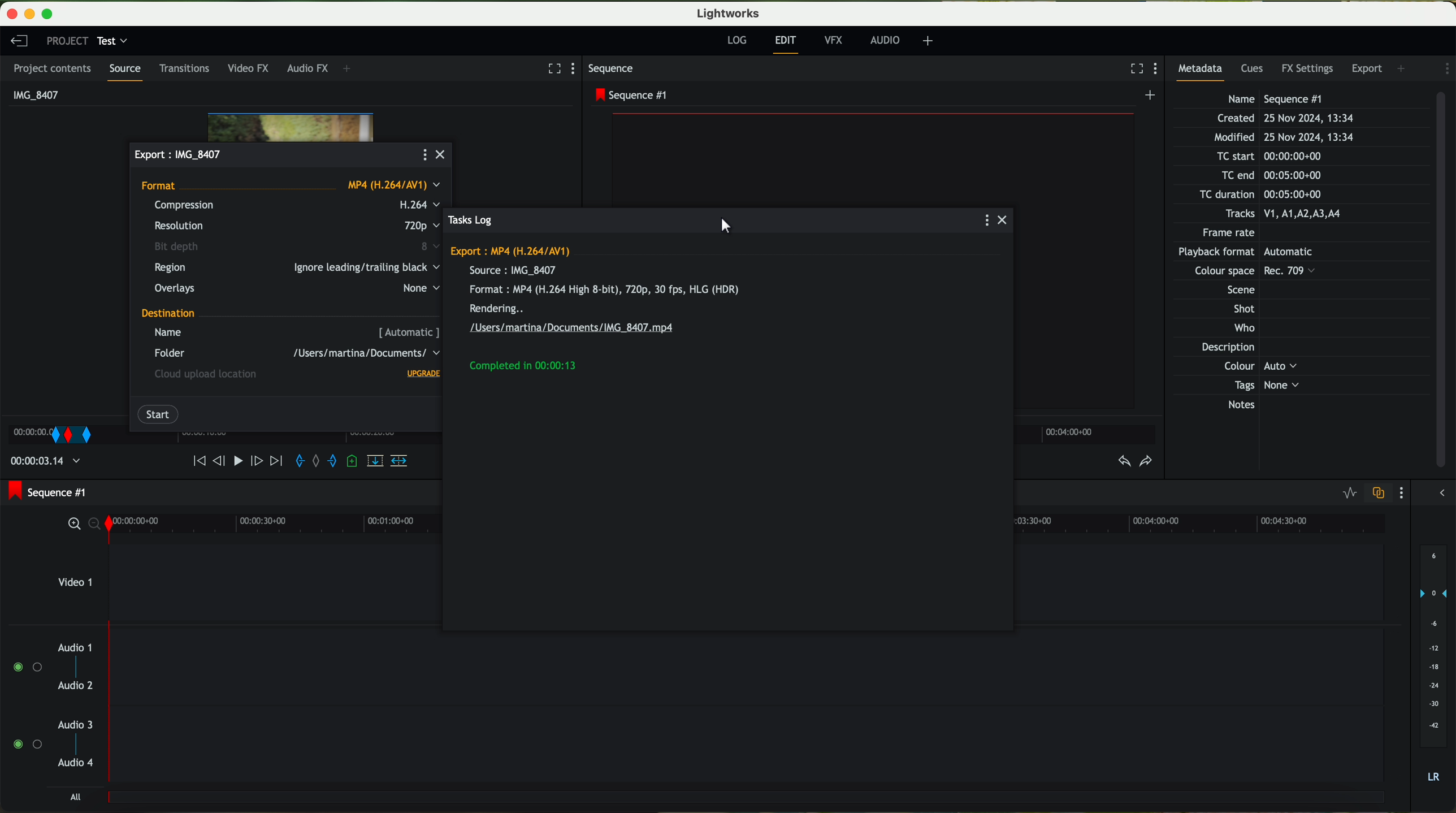  Describe the element at coordinates (700, 581) in the screenshot. I see `video 1` at that location.